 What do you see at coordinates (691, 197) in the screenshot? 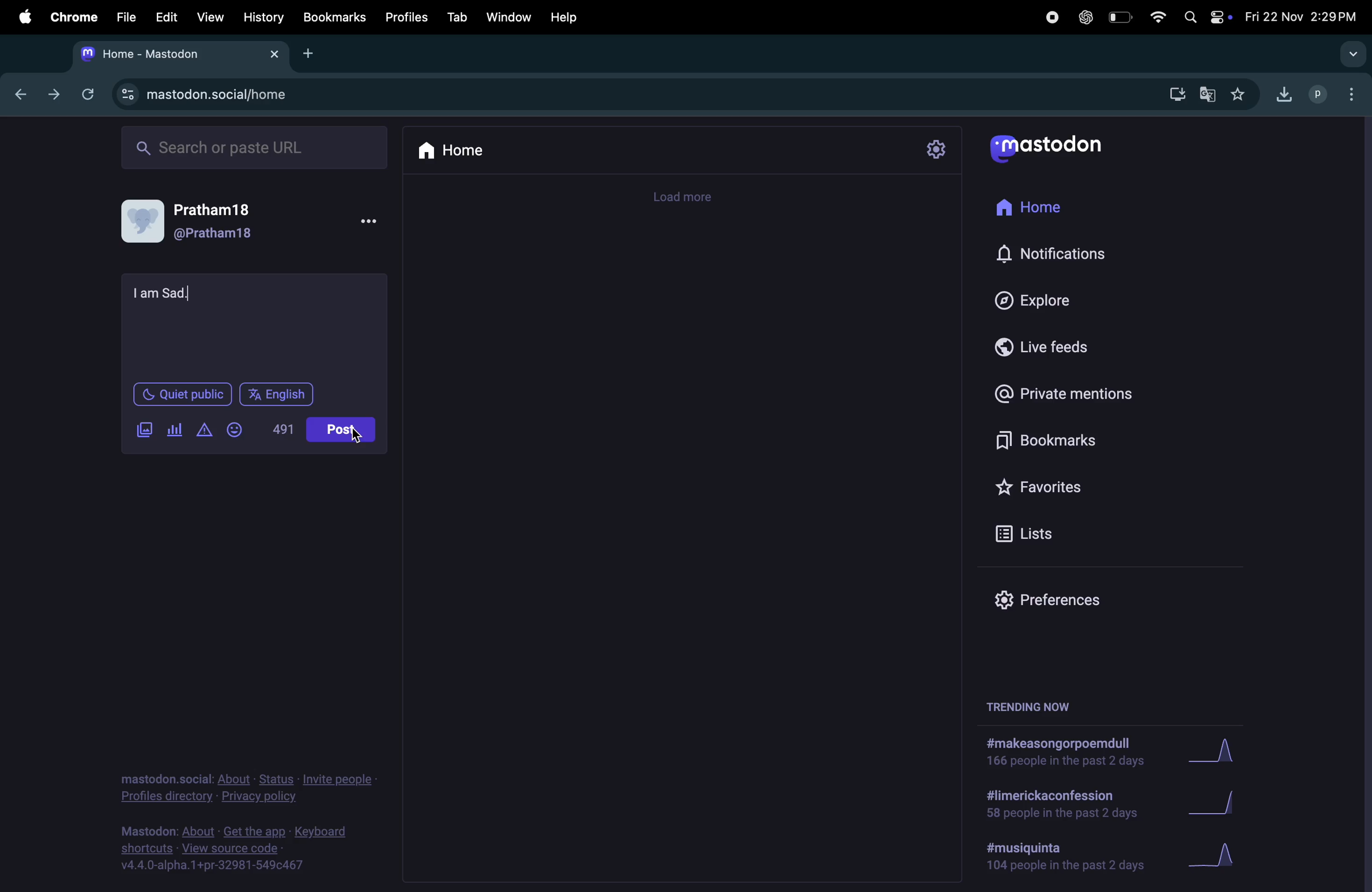
I see `time line` at bounding box center [691, 197].